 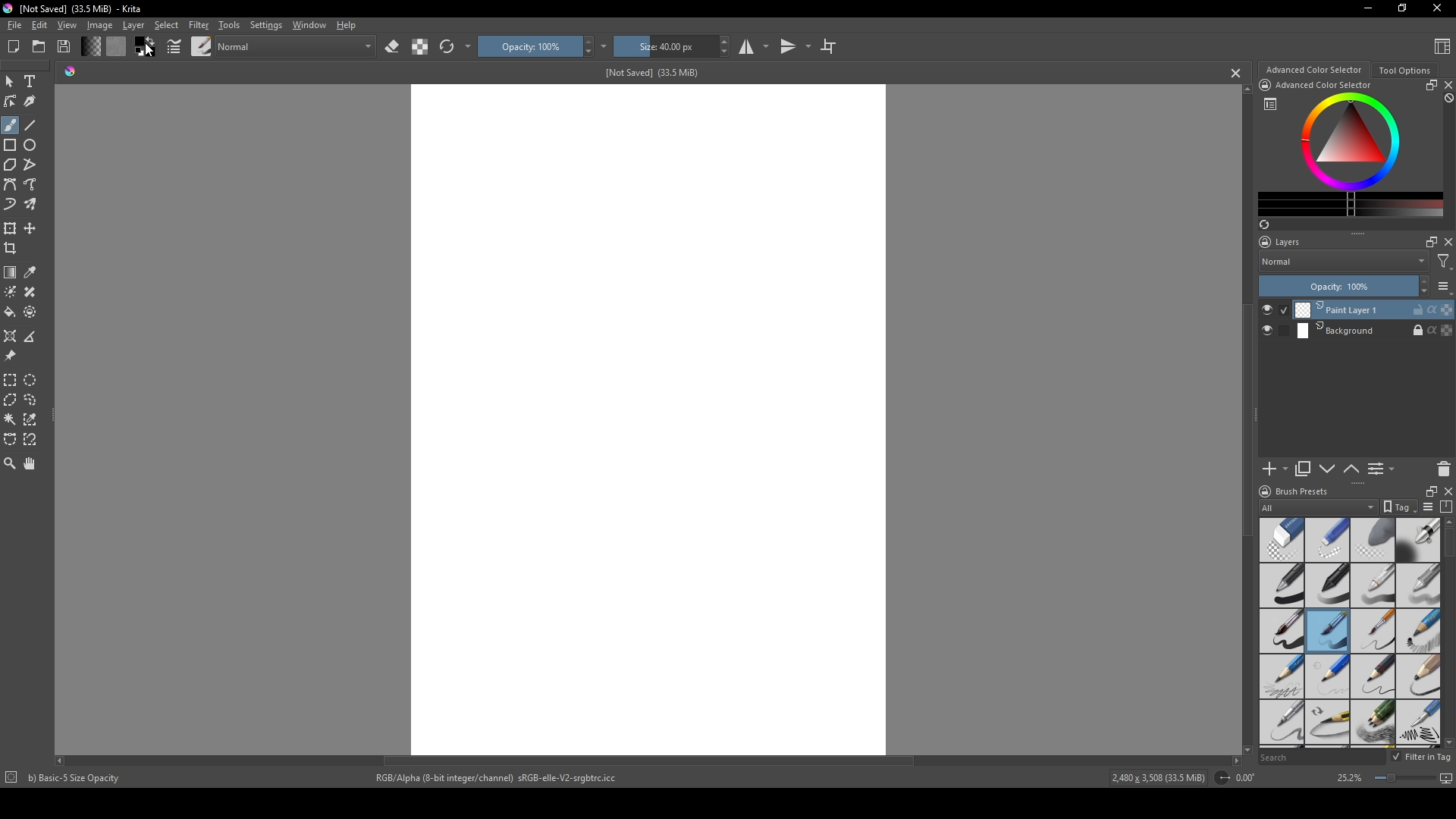 What do you see at coordinates (347, 24) in the screenshot?
I see `Help` at bounding box center [347, 24].